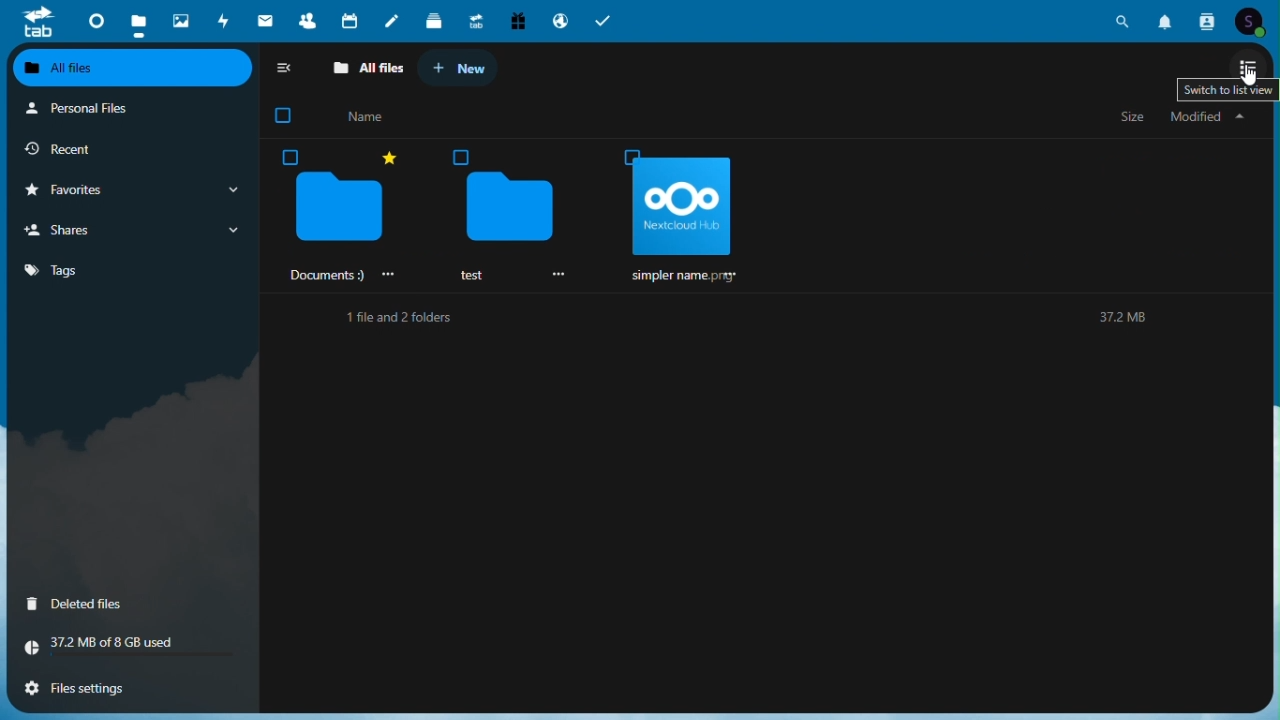 The height and width of the screenshot is (720, 1280). I want to click on Activity, so click(223, 20).